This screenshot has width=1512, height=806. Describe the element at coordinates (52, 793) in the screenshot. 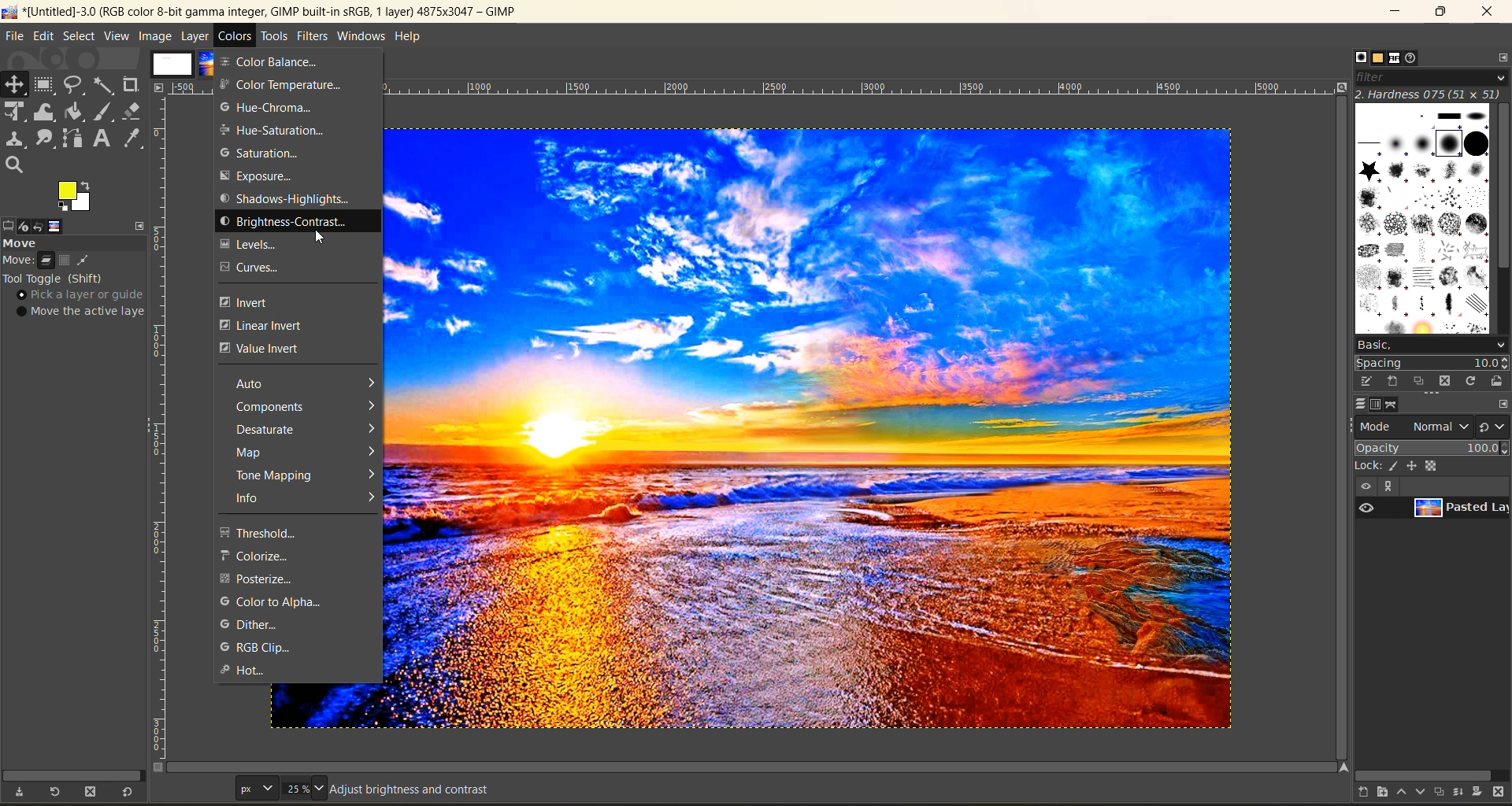

I see `restore tool preset` at that location.